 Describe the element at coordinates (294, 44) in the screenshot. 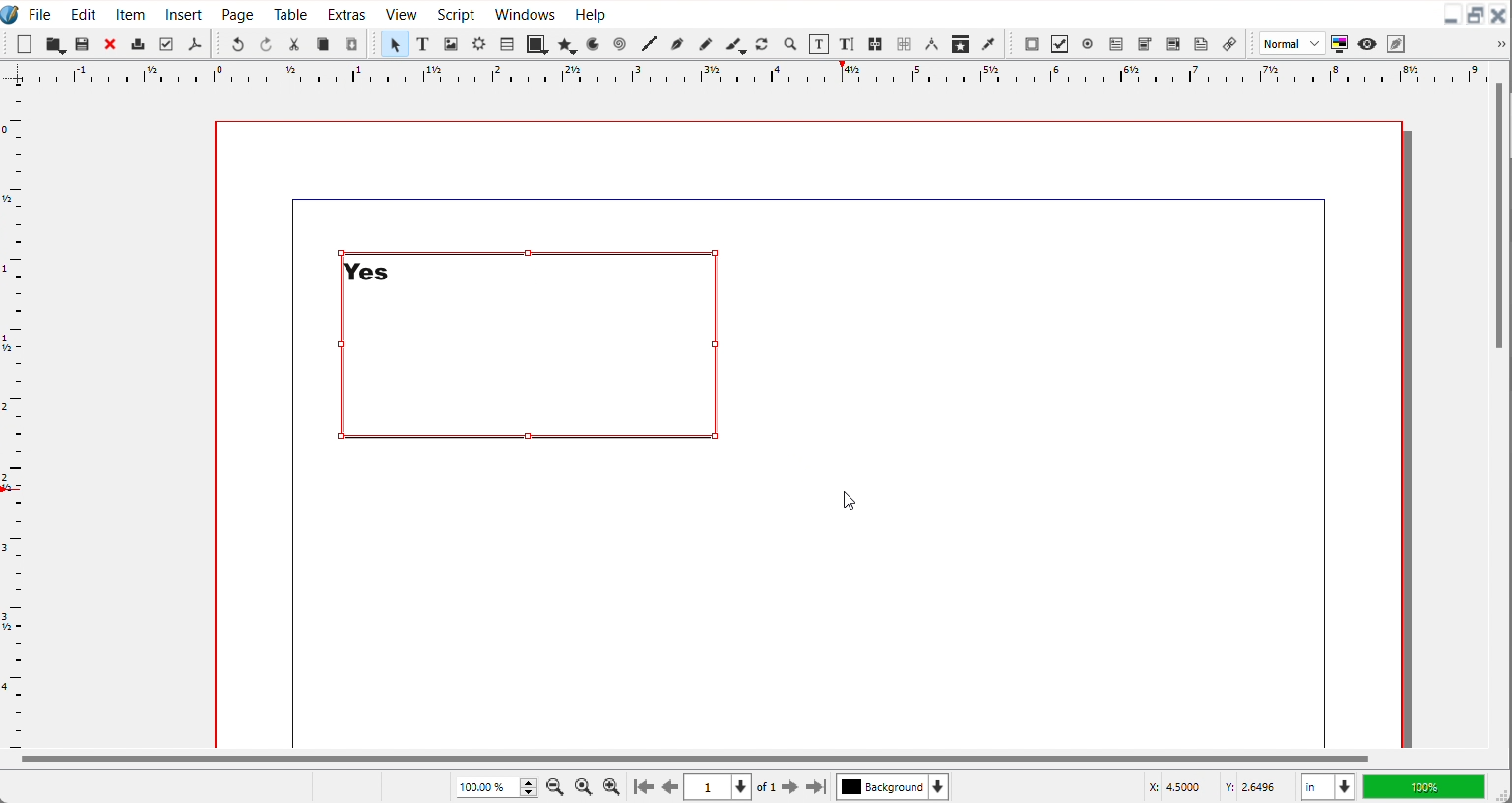

I see `Cut` at that location.